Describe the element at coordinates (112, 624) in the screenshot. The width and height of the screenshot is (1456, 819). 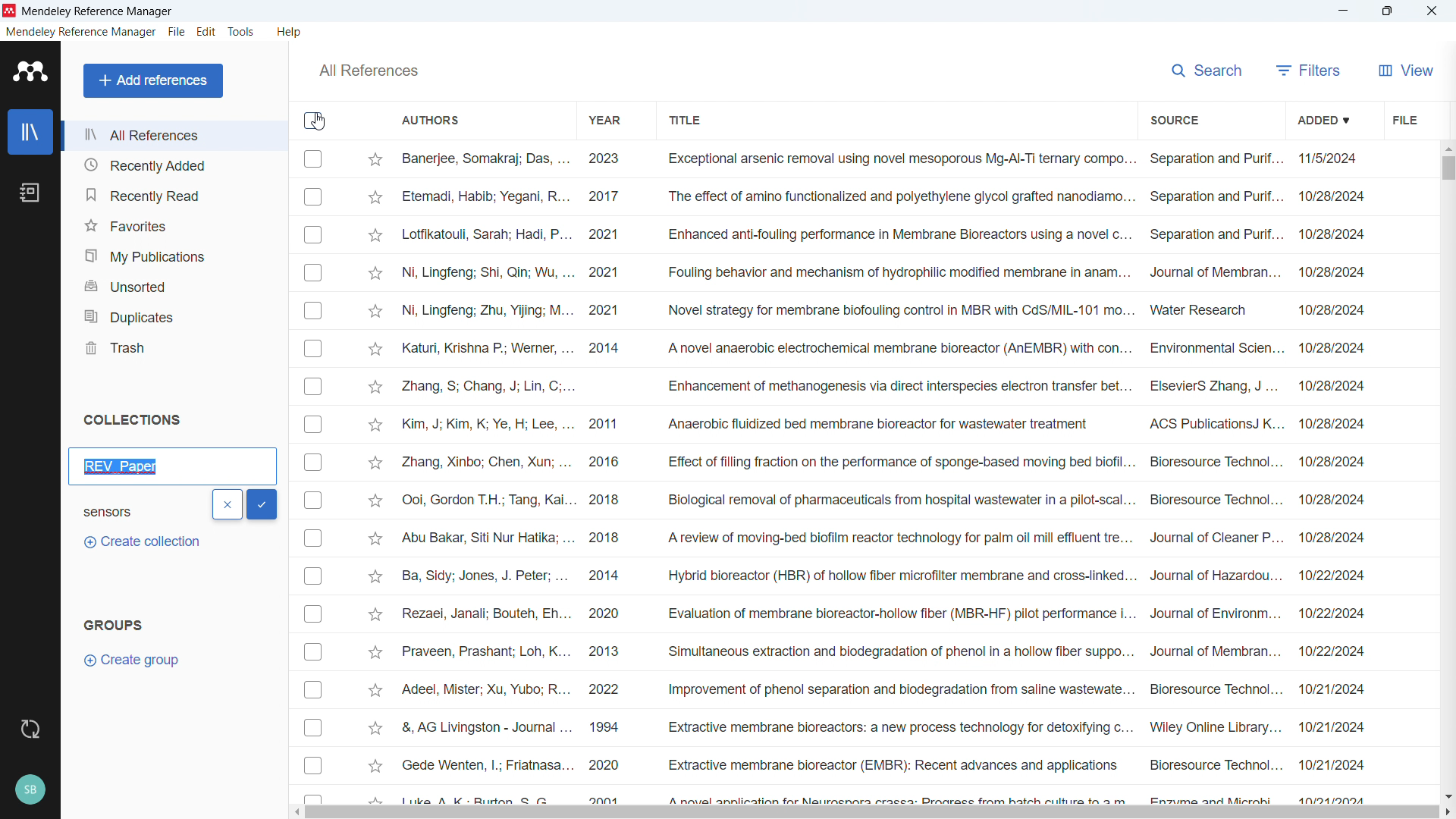
I see `Groups ` at that location.